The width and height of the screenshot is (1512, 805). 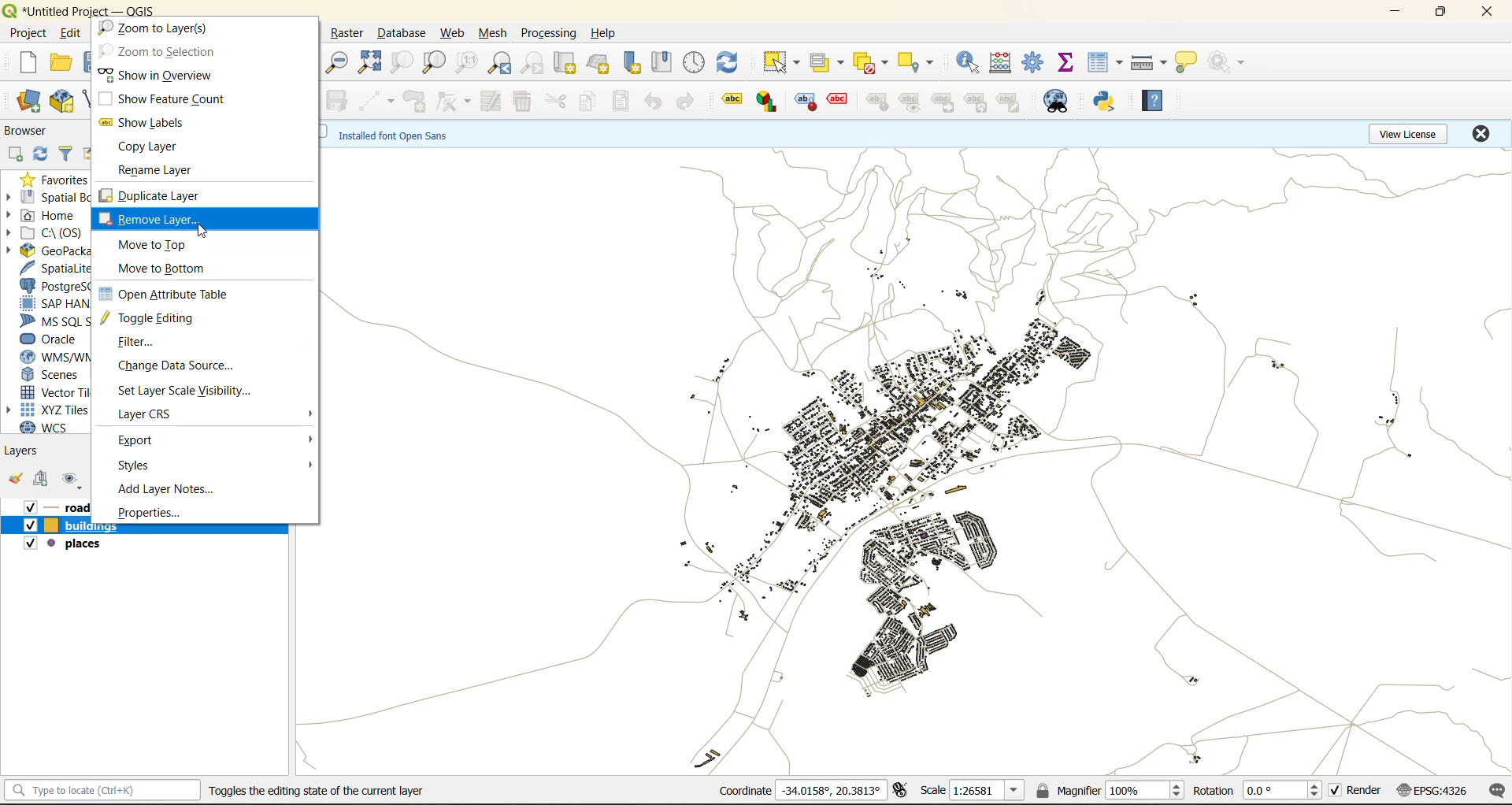 What do you see at coordinates (1104, 102) in the screenshot?
I see `python` at bounding box center [1104, 102].